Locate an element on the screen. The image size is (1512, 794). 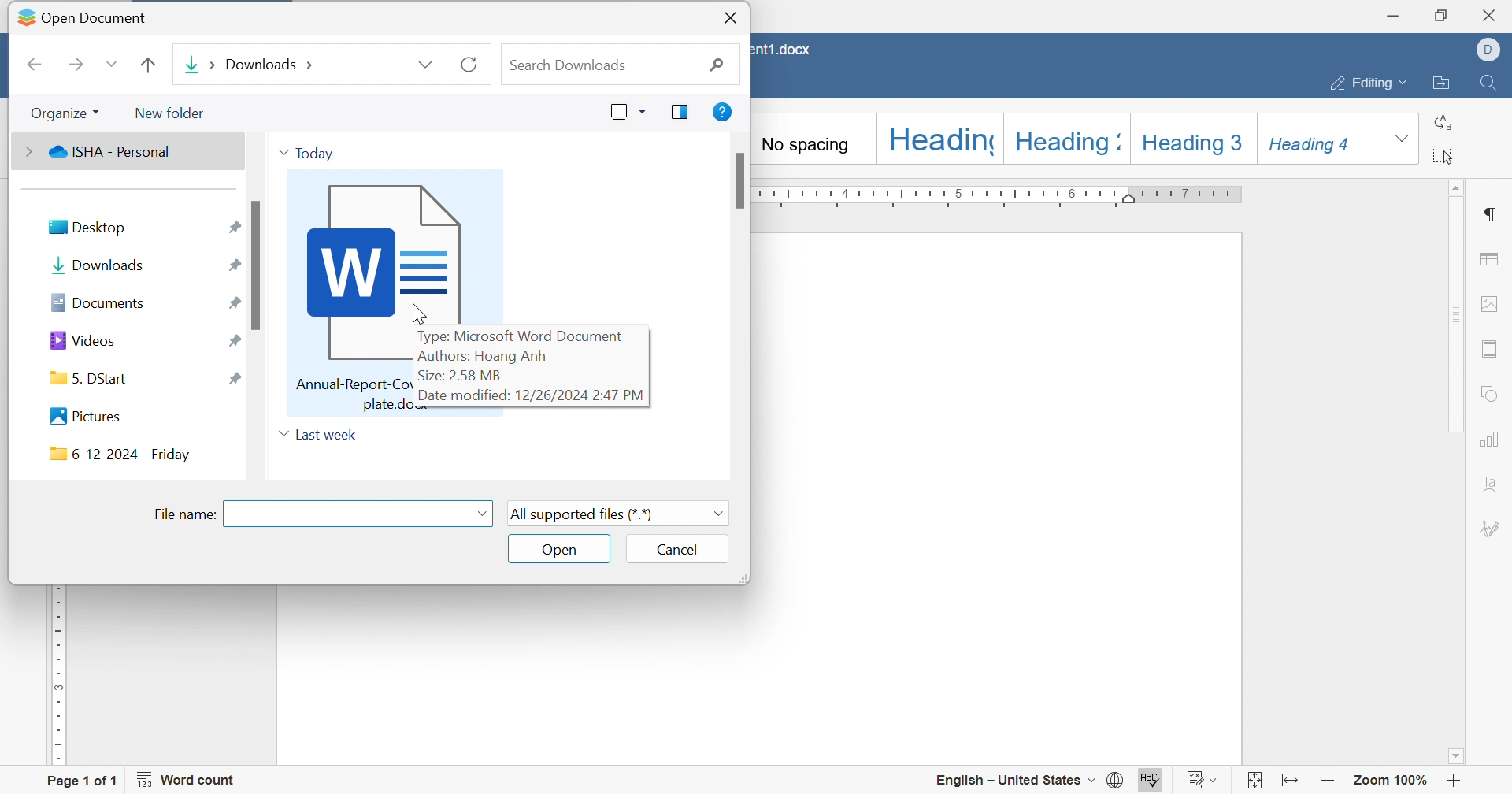
slider is located at coordinates (259, 265).